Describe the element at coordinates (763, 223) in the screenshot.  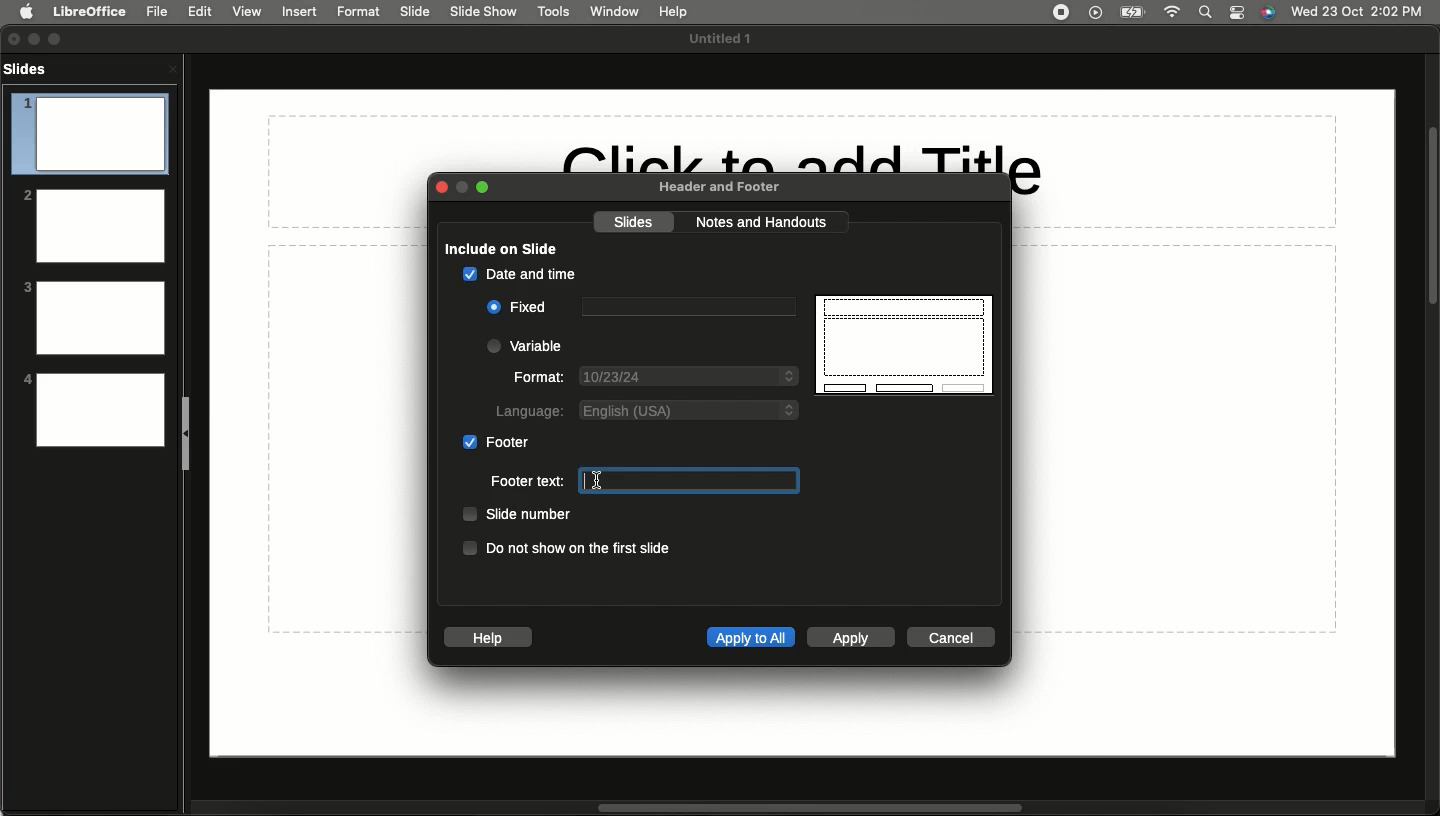
I see `Notes and handouts` at that location.